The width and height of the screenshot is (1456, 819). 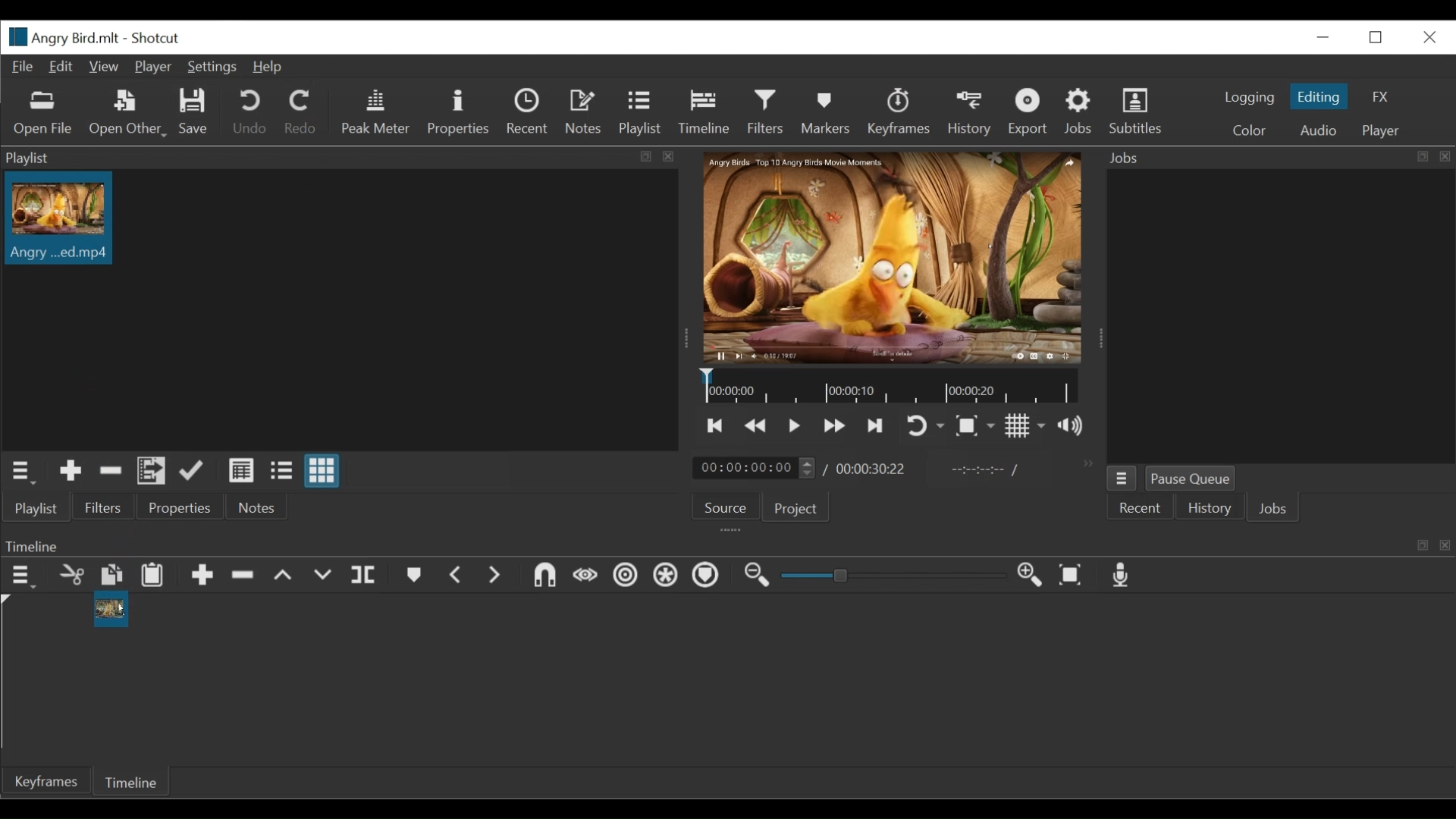 I want to click on Markers, so click(x=823, y=111).